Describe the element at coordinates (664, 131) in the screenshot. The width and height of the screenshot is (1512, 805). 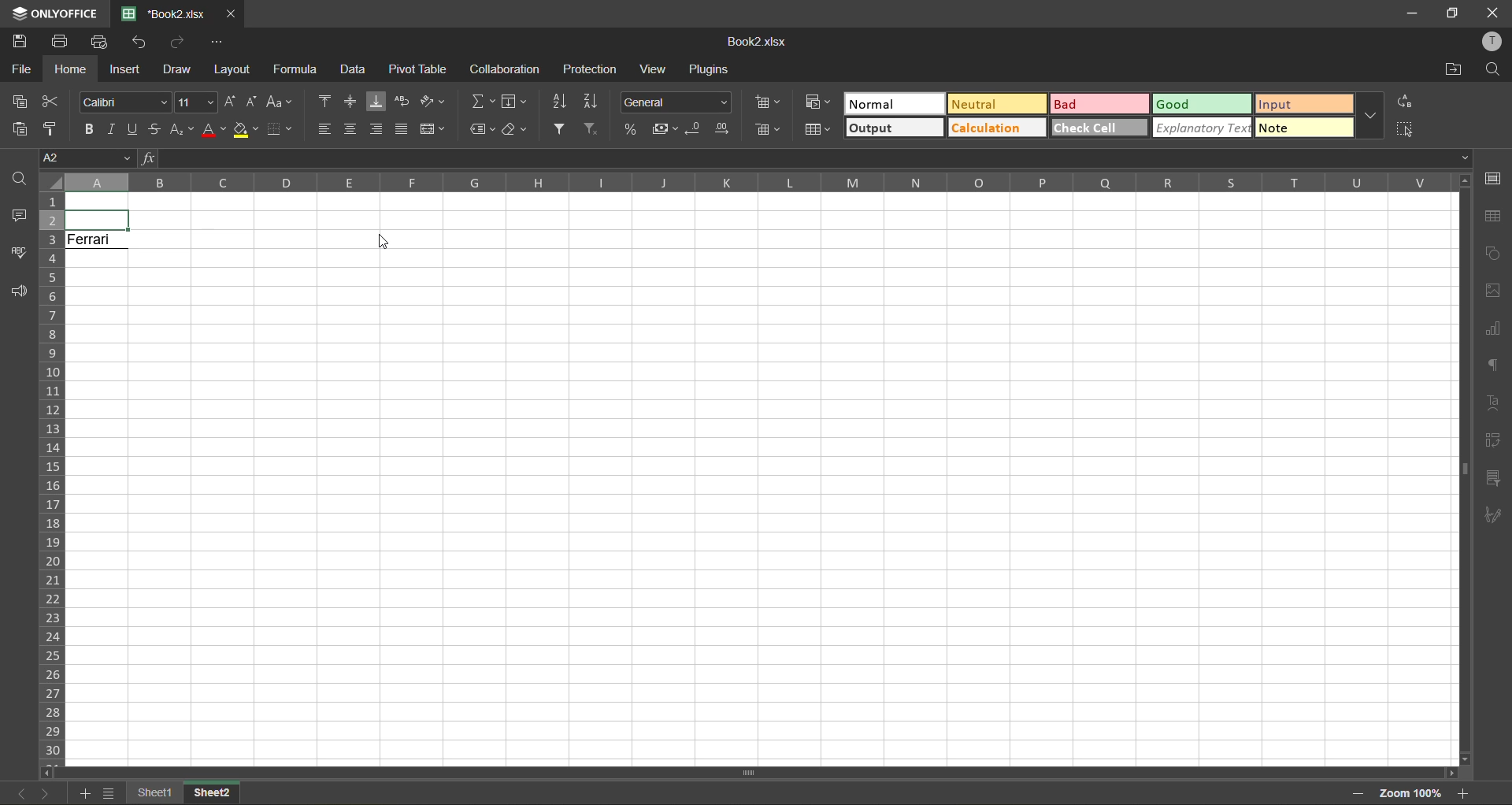
I see `accounting` at that location.